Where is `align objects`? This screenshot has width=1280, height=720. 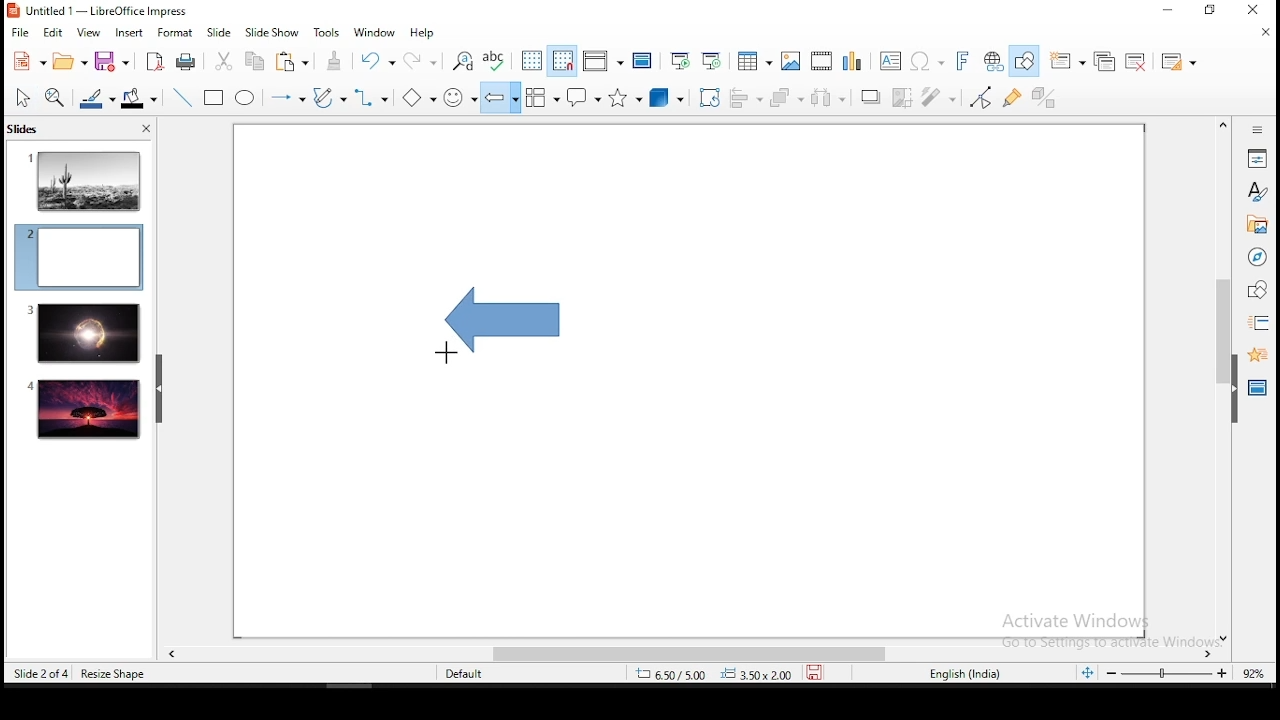 align objects is located at coordinates (751, 99).